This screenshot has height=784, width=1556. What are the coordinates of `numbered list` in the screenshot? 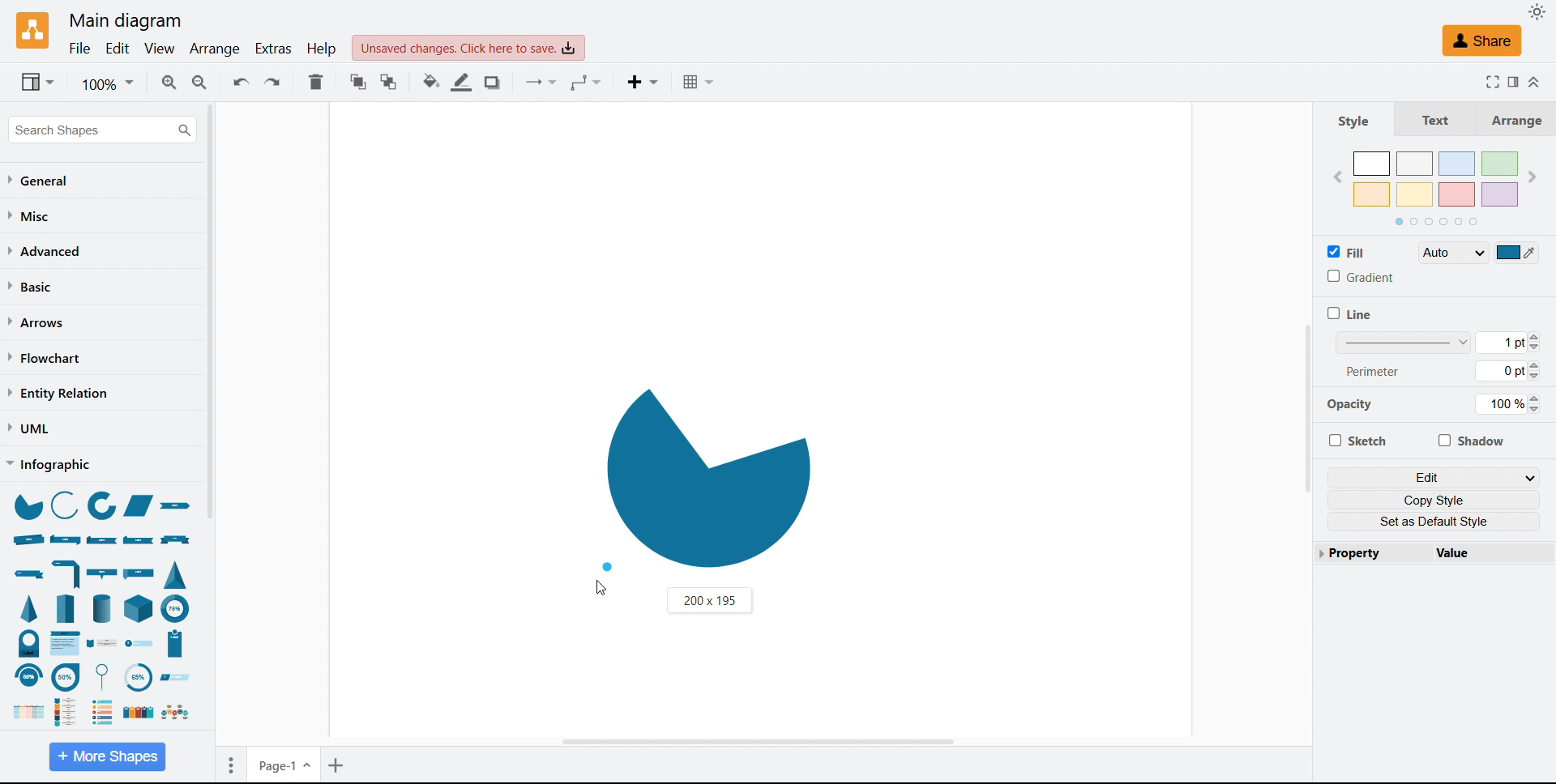 It's located at (103, 711).